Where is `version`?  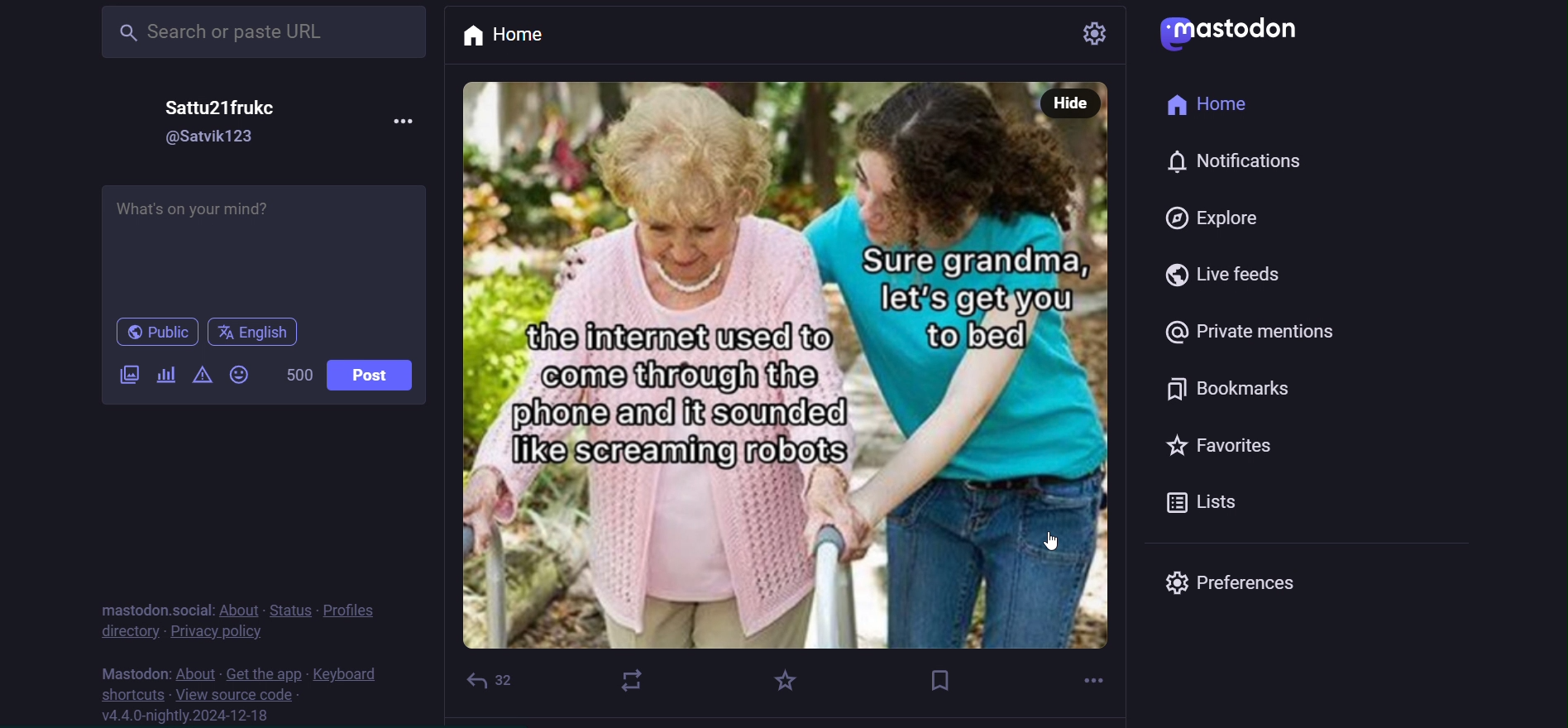 version is located at coordinates (188, 717).